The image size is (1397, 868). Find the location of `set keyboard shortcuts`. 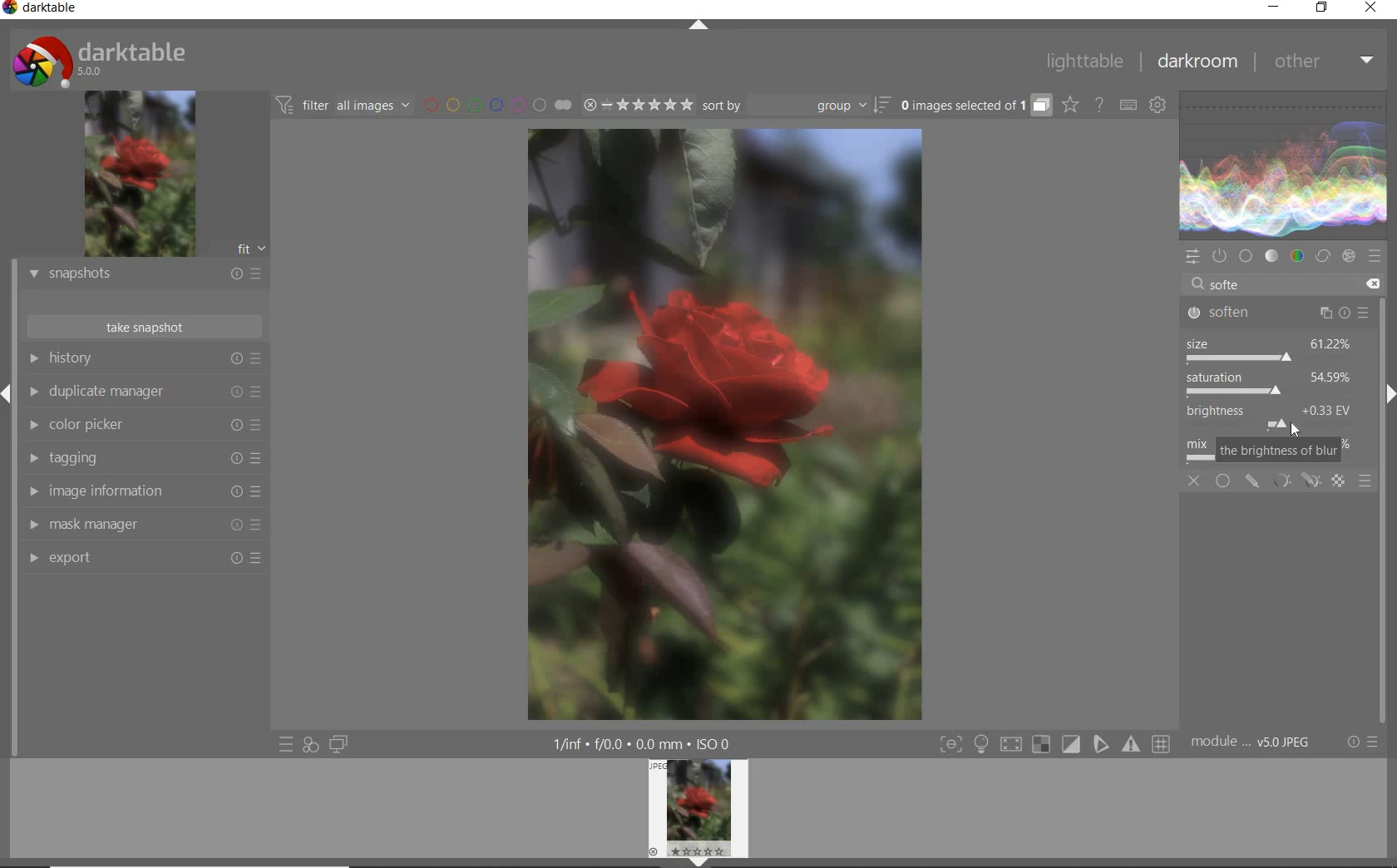

set keyboard shortcuts is located at coordinates (1128, 105).